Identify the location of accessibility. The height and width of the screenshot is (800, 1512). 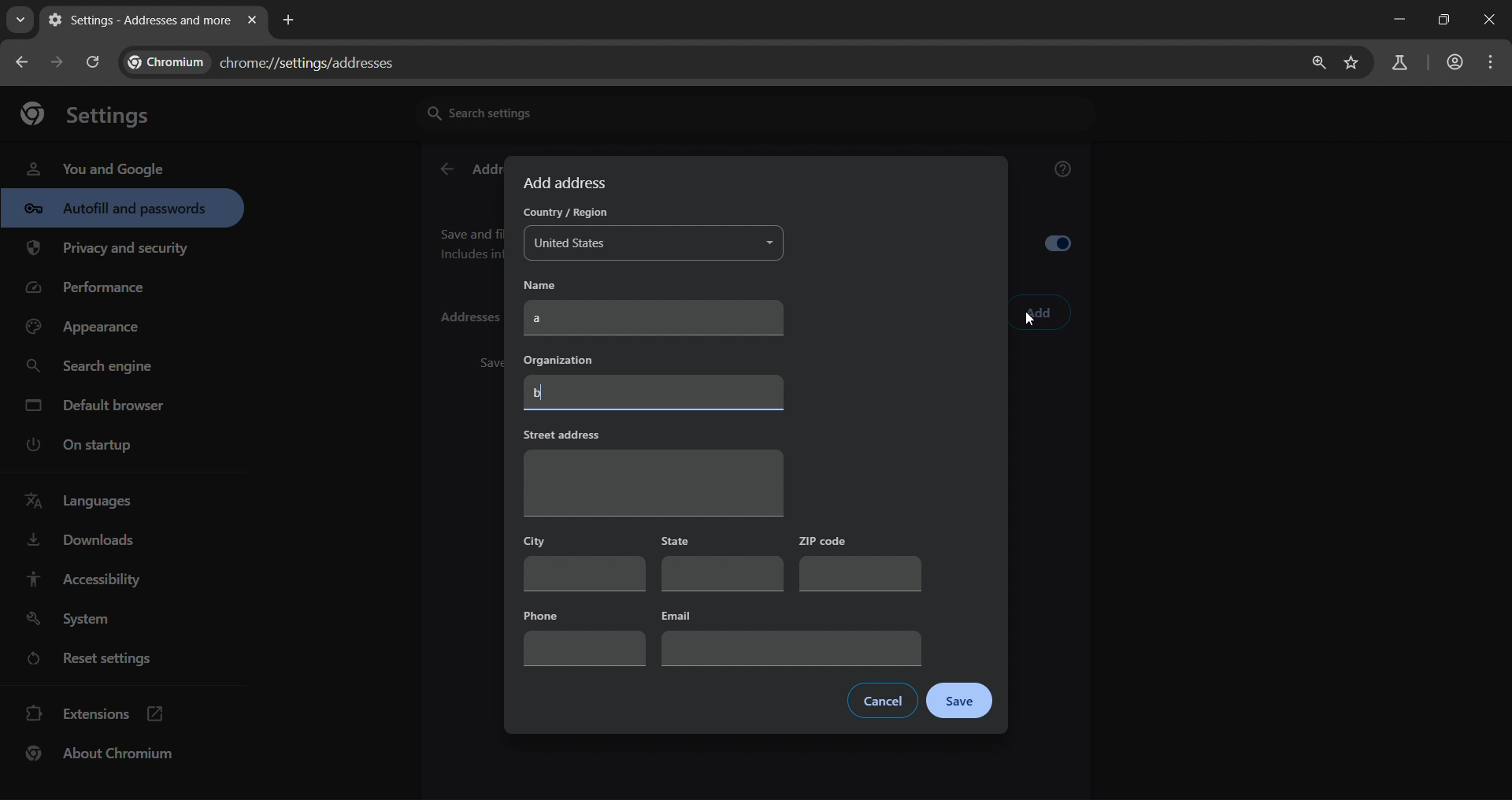
(82, 579).